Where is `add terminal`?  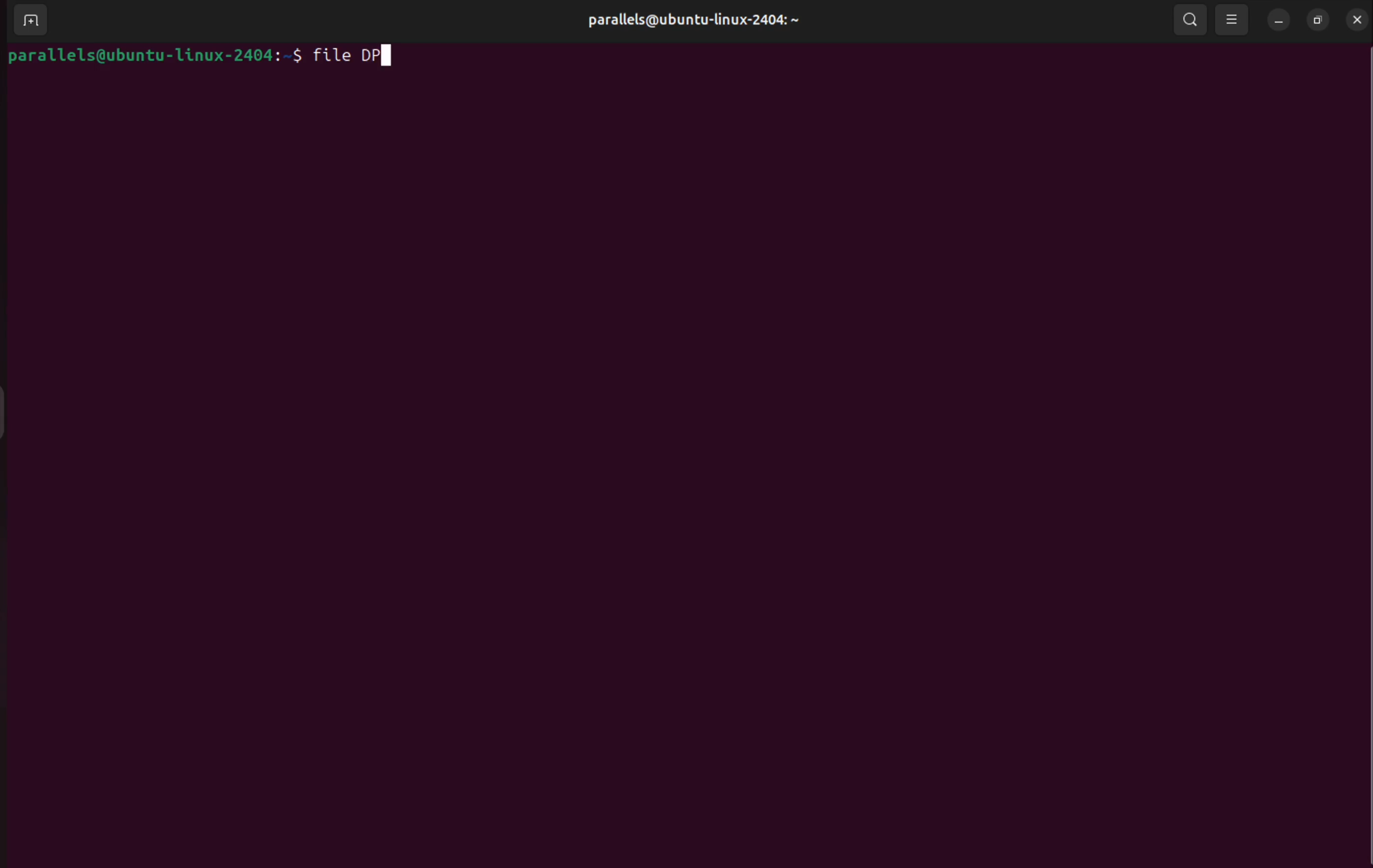
add terminal is located at coordinates (33, 20).